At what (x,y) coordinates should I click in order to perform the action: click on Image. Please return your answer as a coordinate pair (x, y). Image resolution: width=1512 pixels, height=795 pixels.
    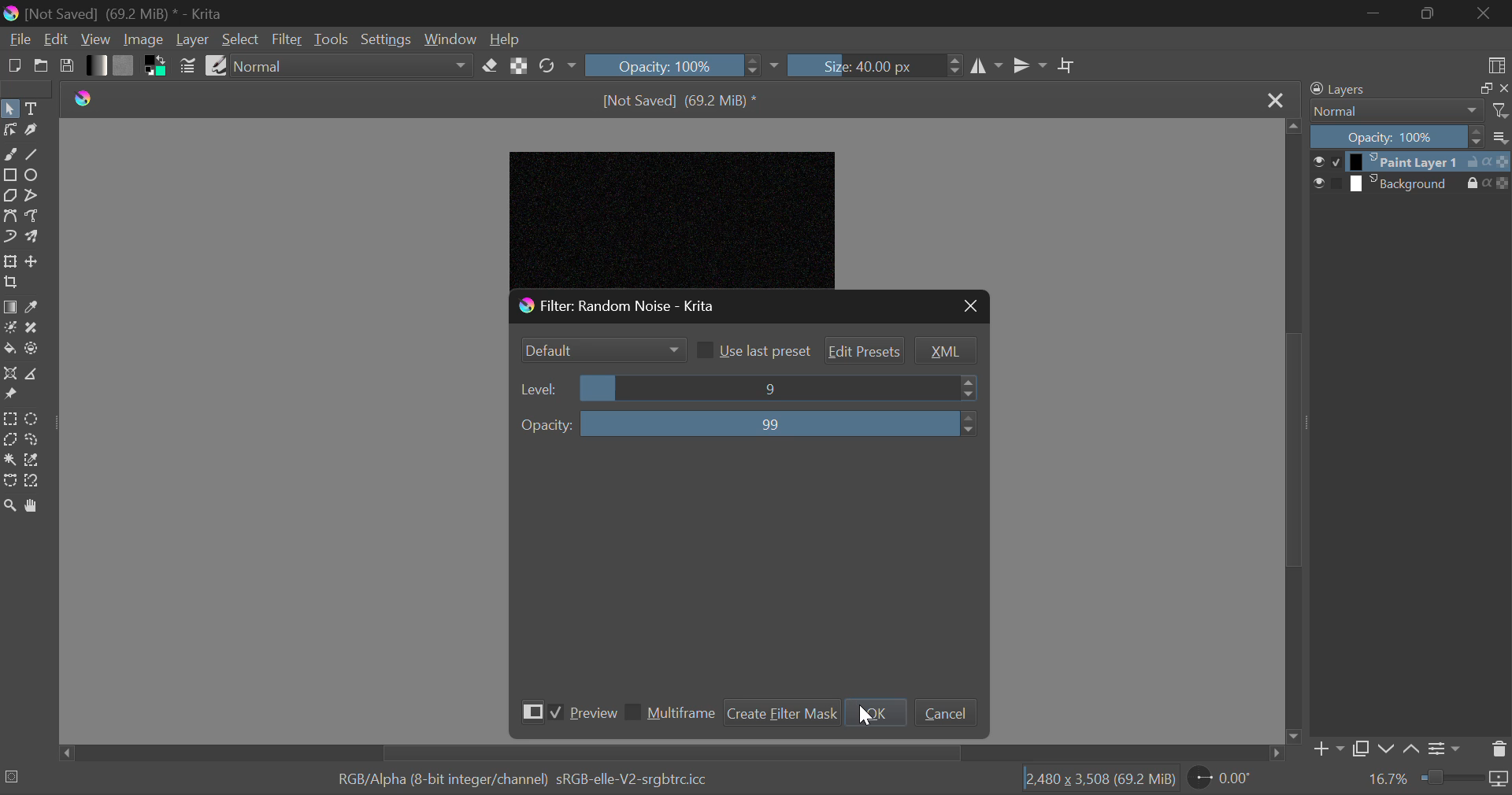
    Looking at the image, I should click on (143, 41).